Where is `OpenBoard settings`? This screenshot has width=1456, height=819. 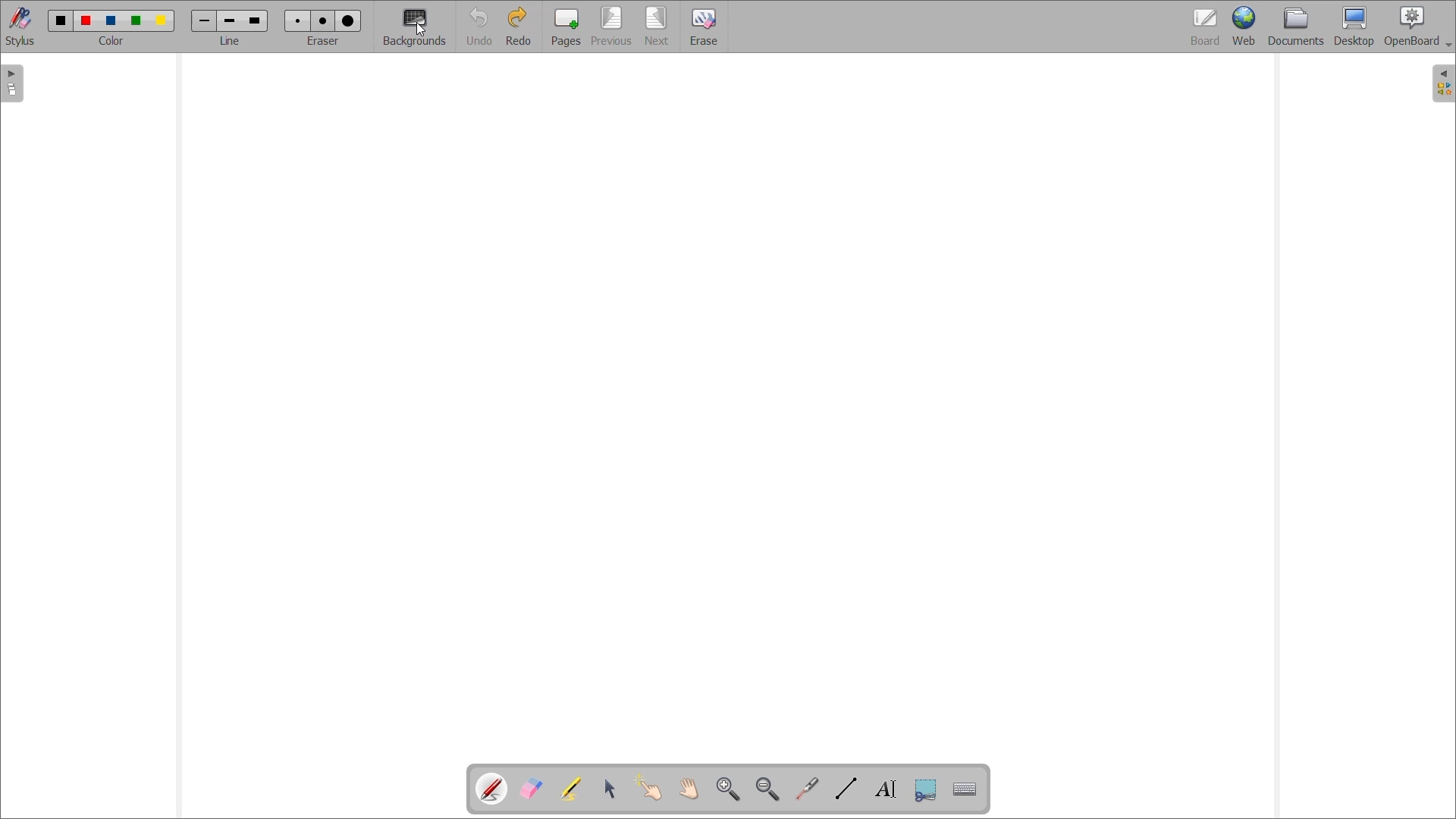
OpenBoard settings is located at coordinates (1418, 27).